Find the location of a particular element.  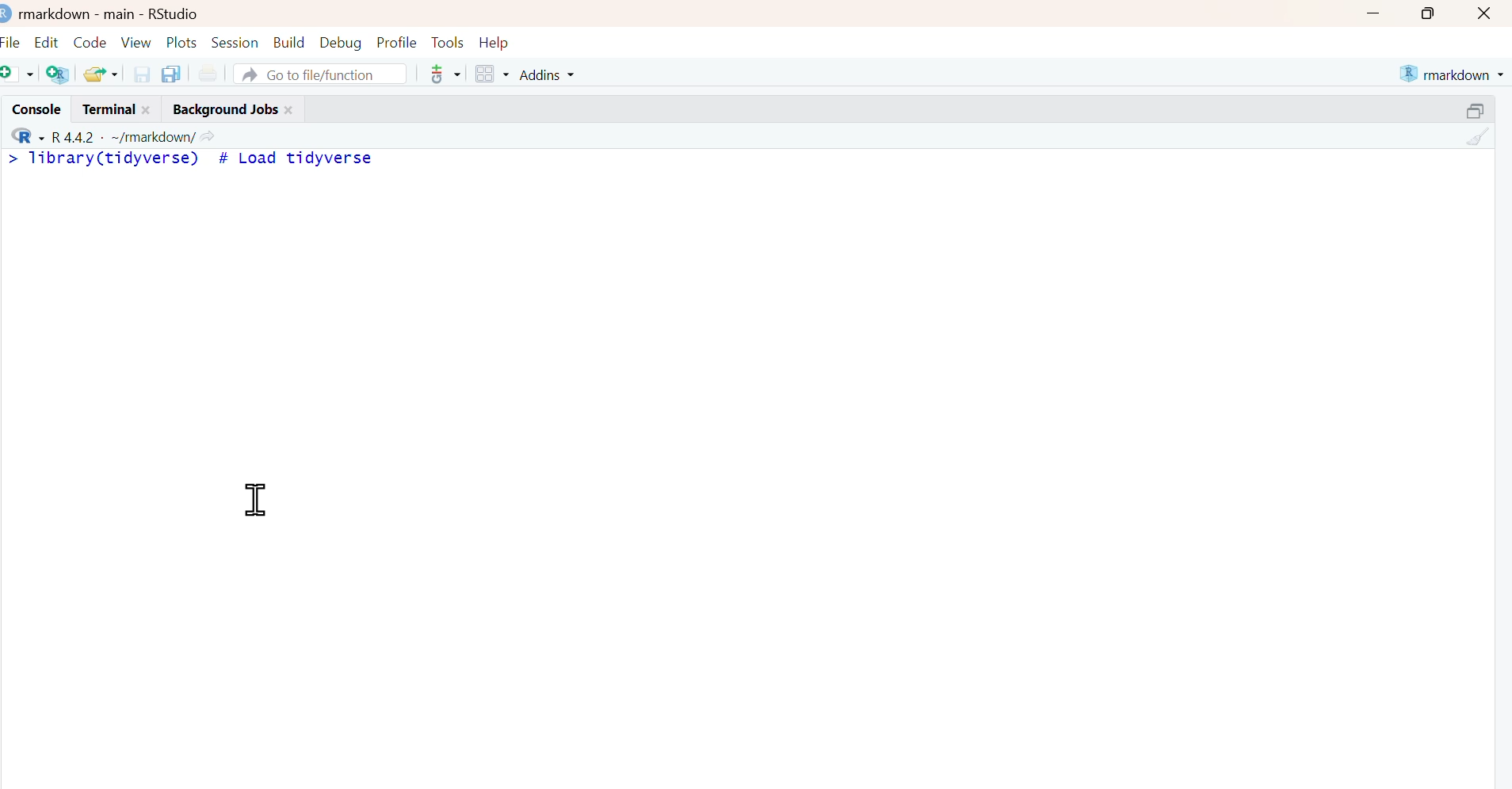

save is located at coordinates (143, 73).